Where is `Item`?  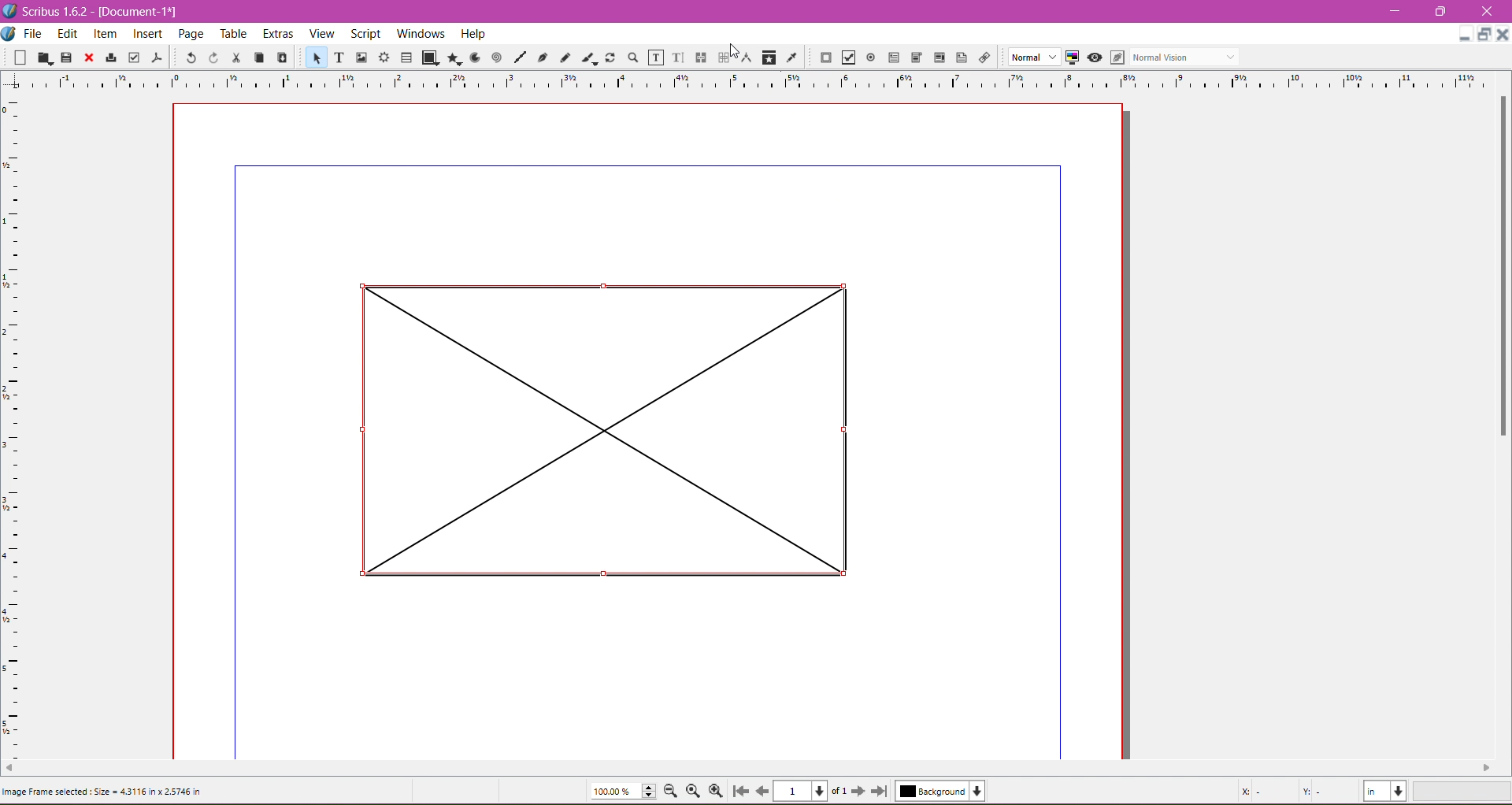
Item is located at coordinates (104, 35).